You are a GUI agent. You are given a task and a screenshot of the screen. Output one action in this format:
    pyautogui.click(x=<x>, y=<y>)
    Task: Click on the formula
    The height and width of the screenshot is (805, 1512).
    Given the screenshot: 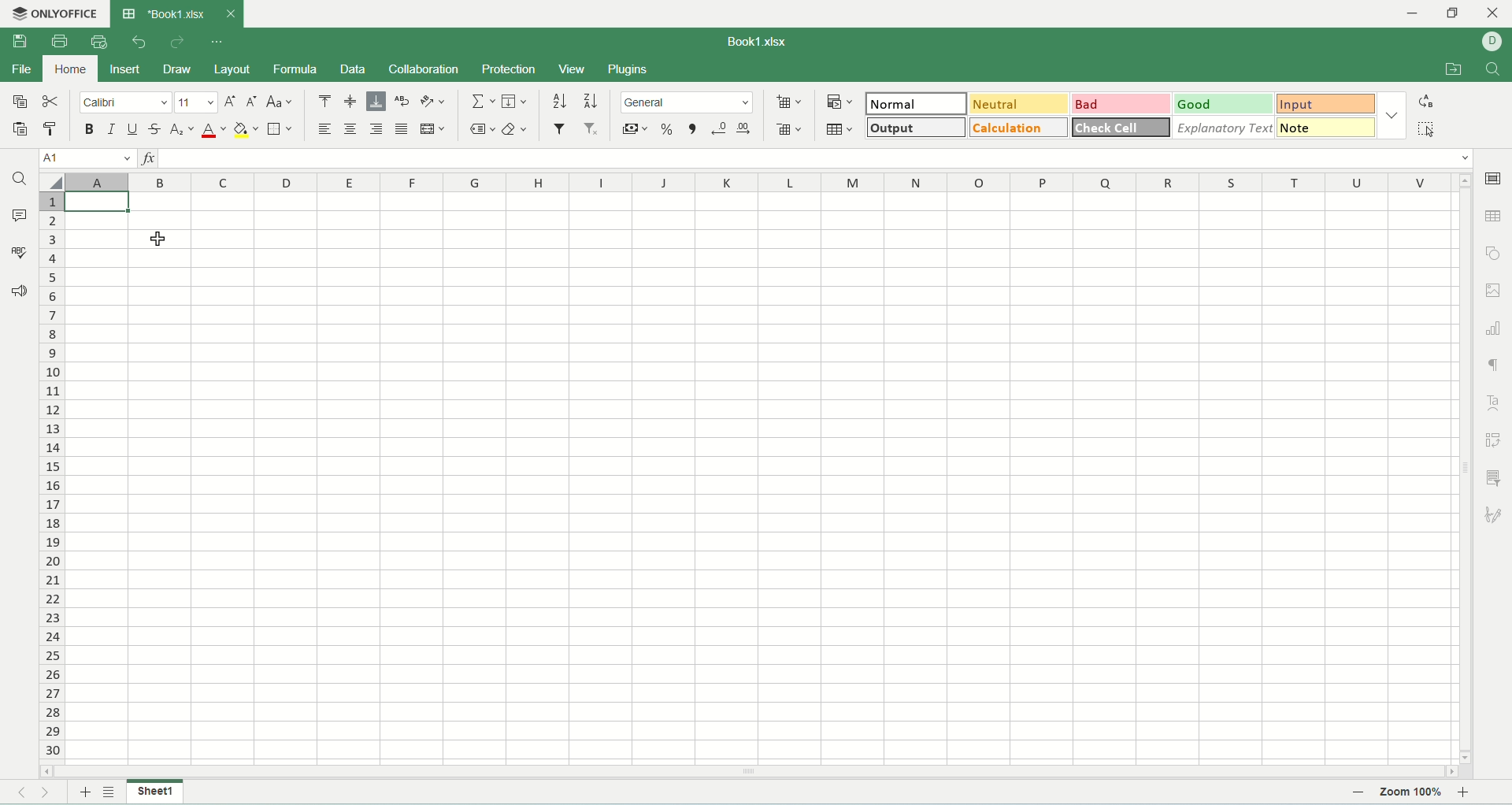 What is the action you would take?
    pyautogui.click(x=293, y=69)
    